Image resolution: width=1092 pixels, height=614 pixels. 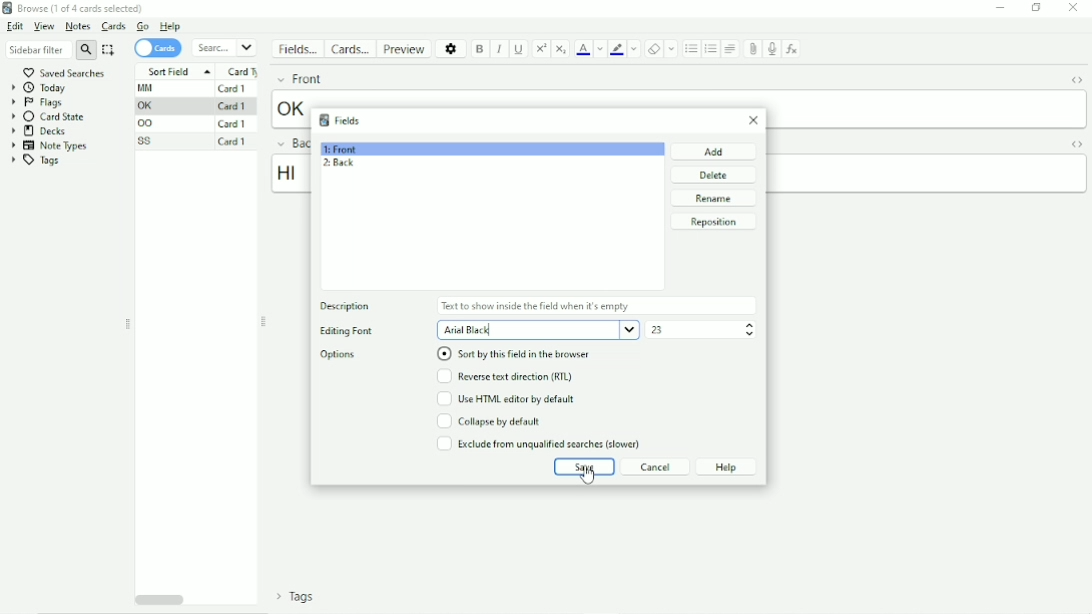 What do you see at coordinates (1074, 8) in the screenshot?
I see `Close` at bounding box center [1074, 8].